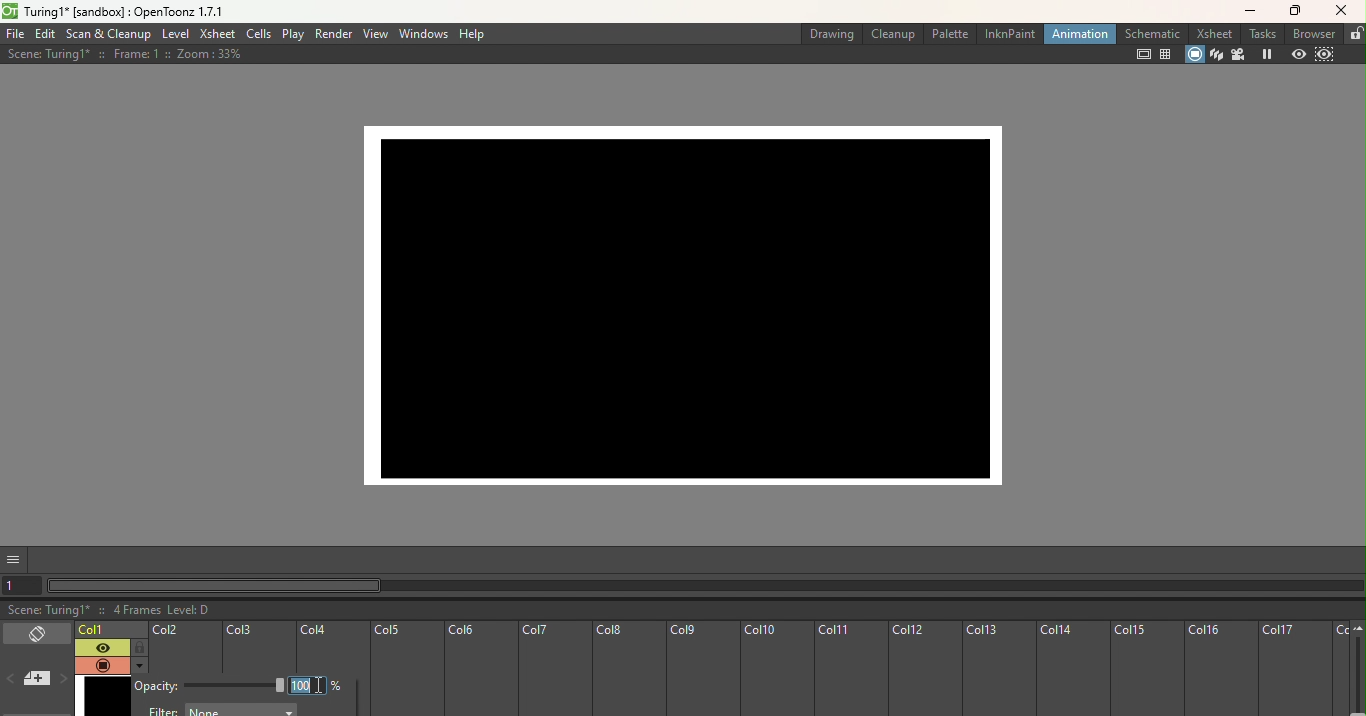 The height and width of the screenshot is (716, 1366). What do you see at coordinates (256, 34) in the screenshot?
I see `Cells` at bounding box center [256, 34].